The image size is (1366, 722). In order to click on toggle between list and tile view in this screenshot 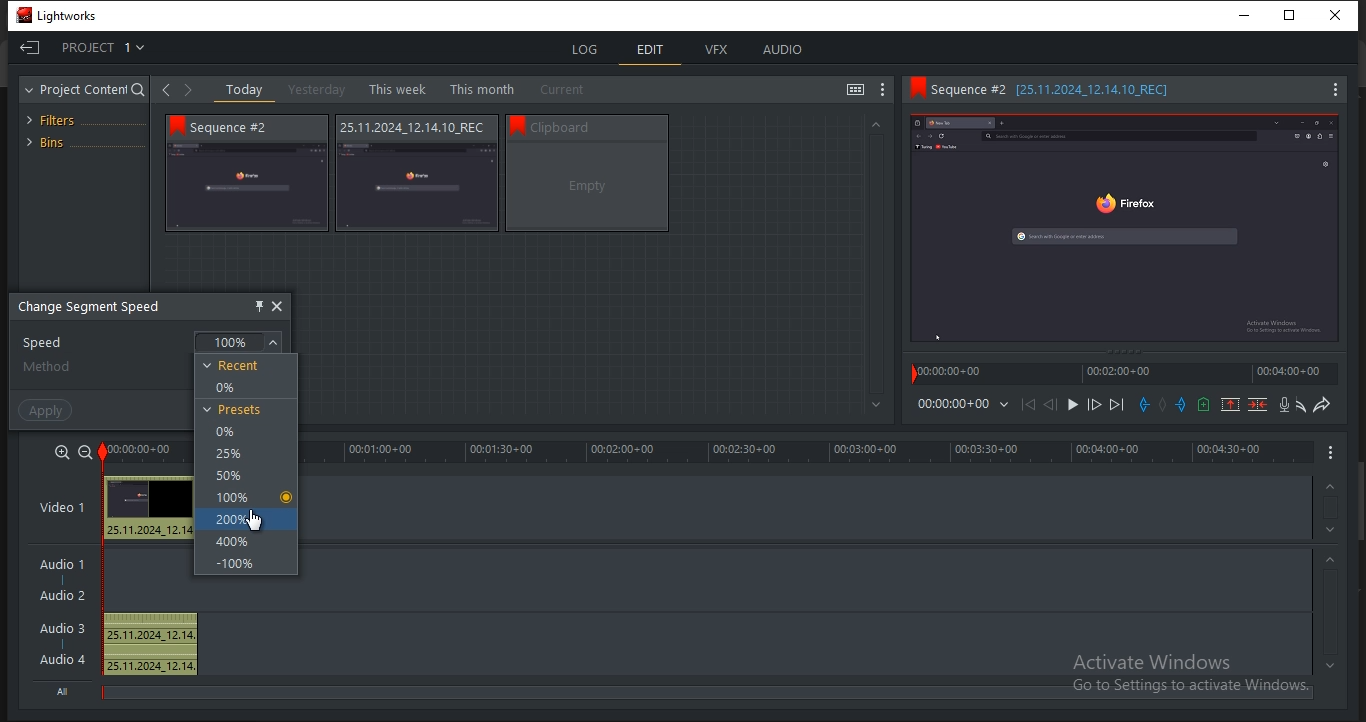, I will do `click(856, 89)`.